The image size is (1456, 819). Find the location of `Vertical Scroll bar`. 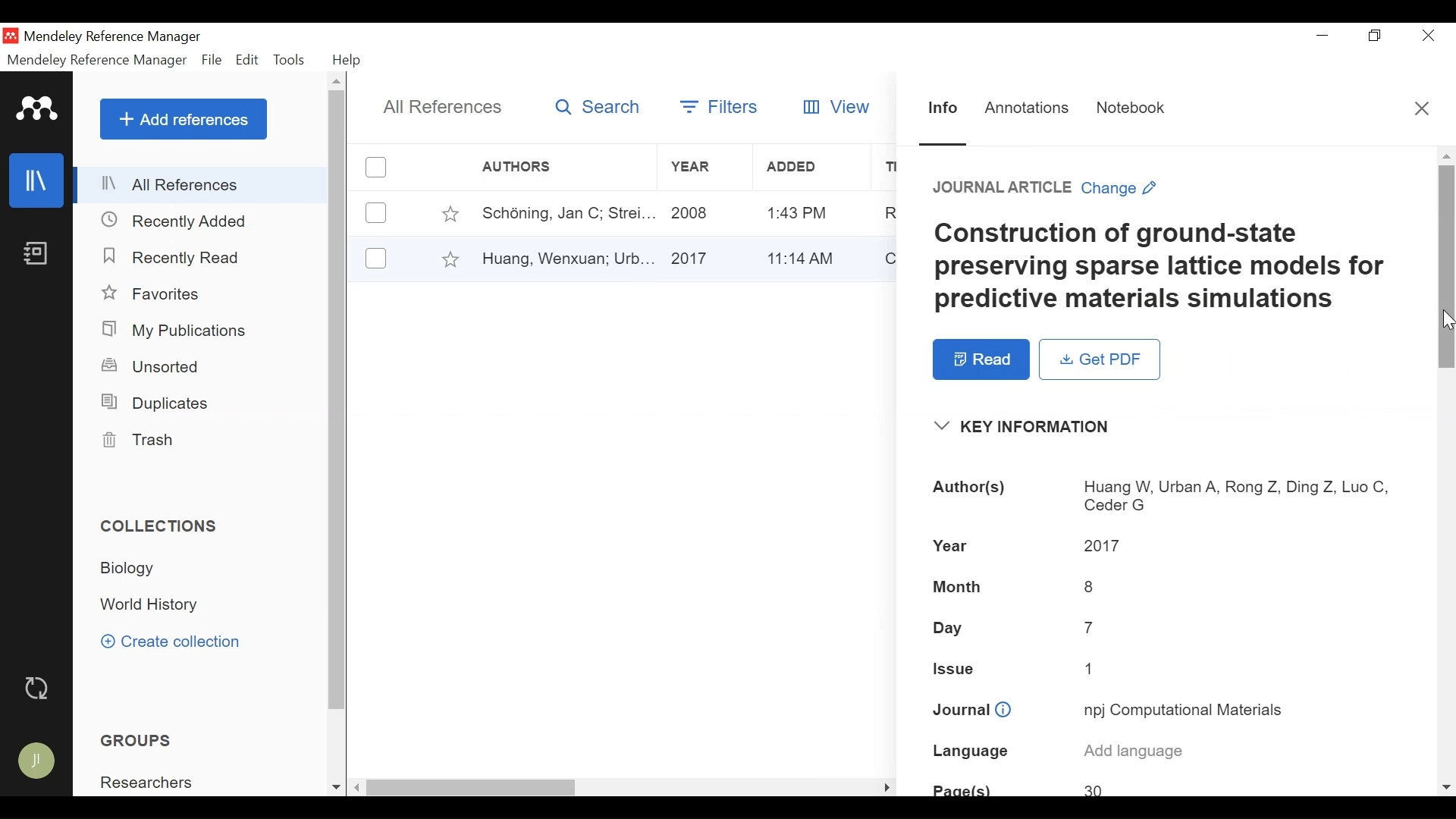

Vertical Scroll bar is located at coordinates (338, 400).